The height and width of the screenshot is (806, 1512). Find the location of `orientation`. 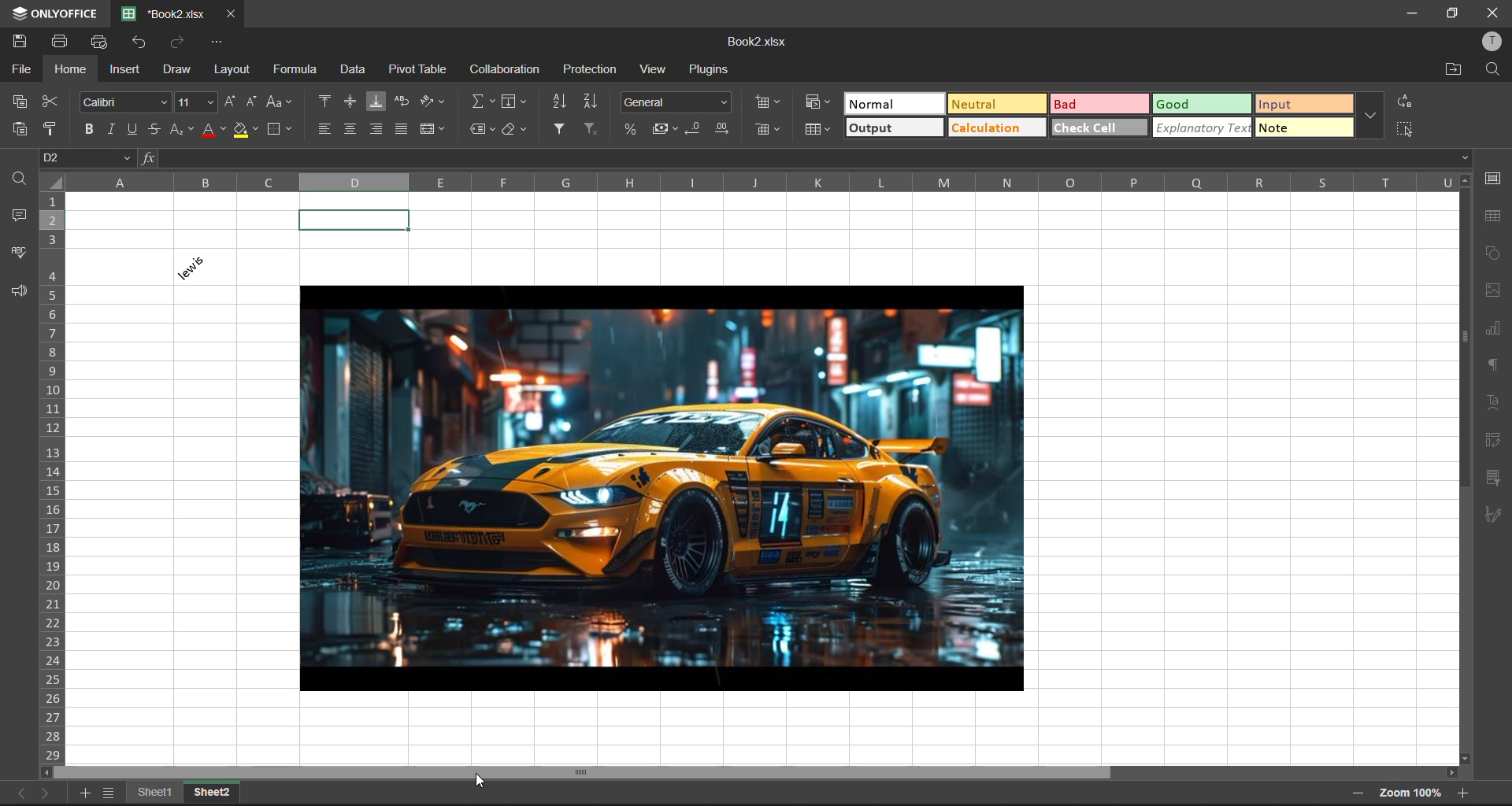

orientation is located at coordinates (433, 102).